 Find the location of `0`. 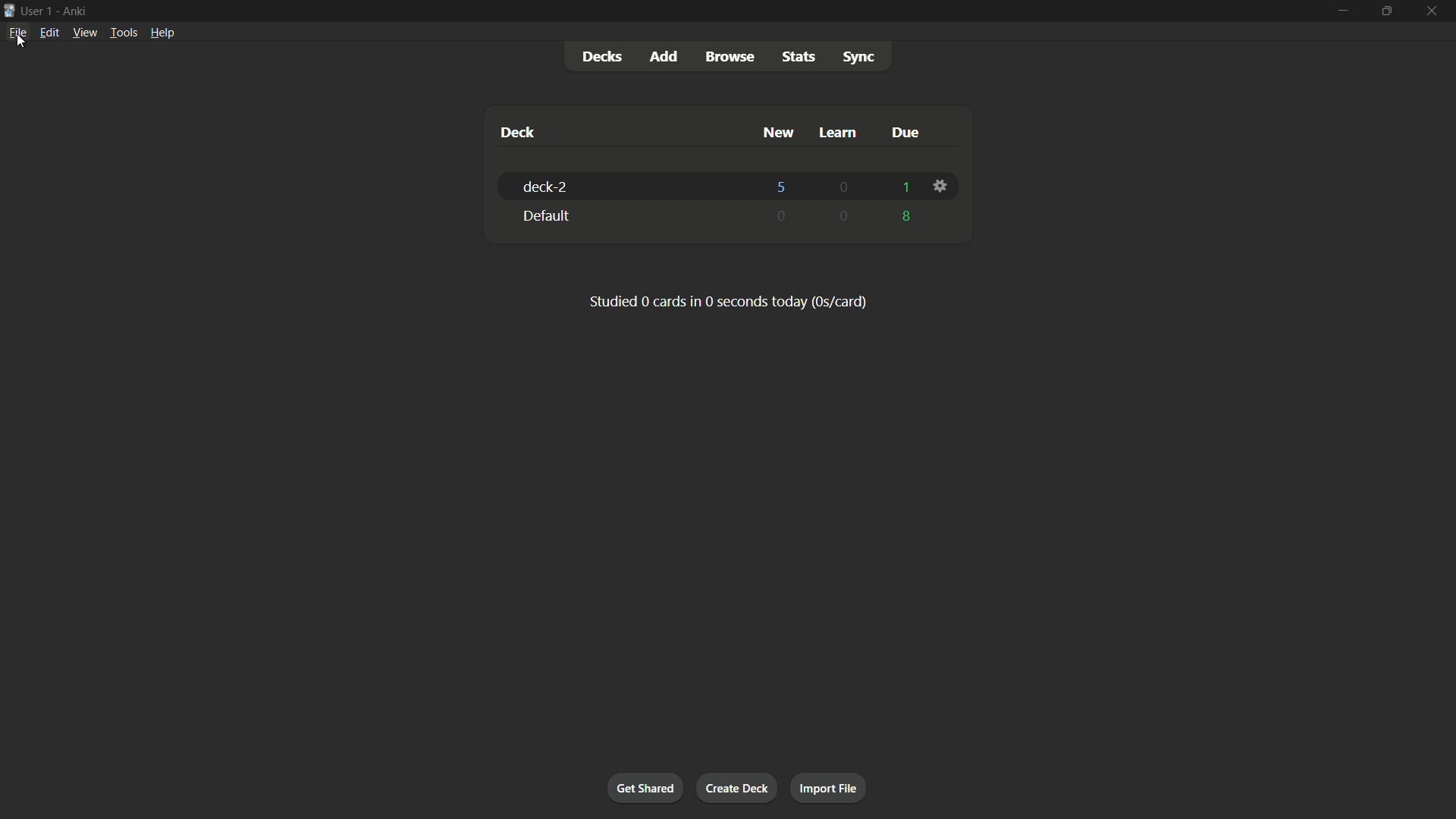

0 is located at coordinates (844, 189).